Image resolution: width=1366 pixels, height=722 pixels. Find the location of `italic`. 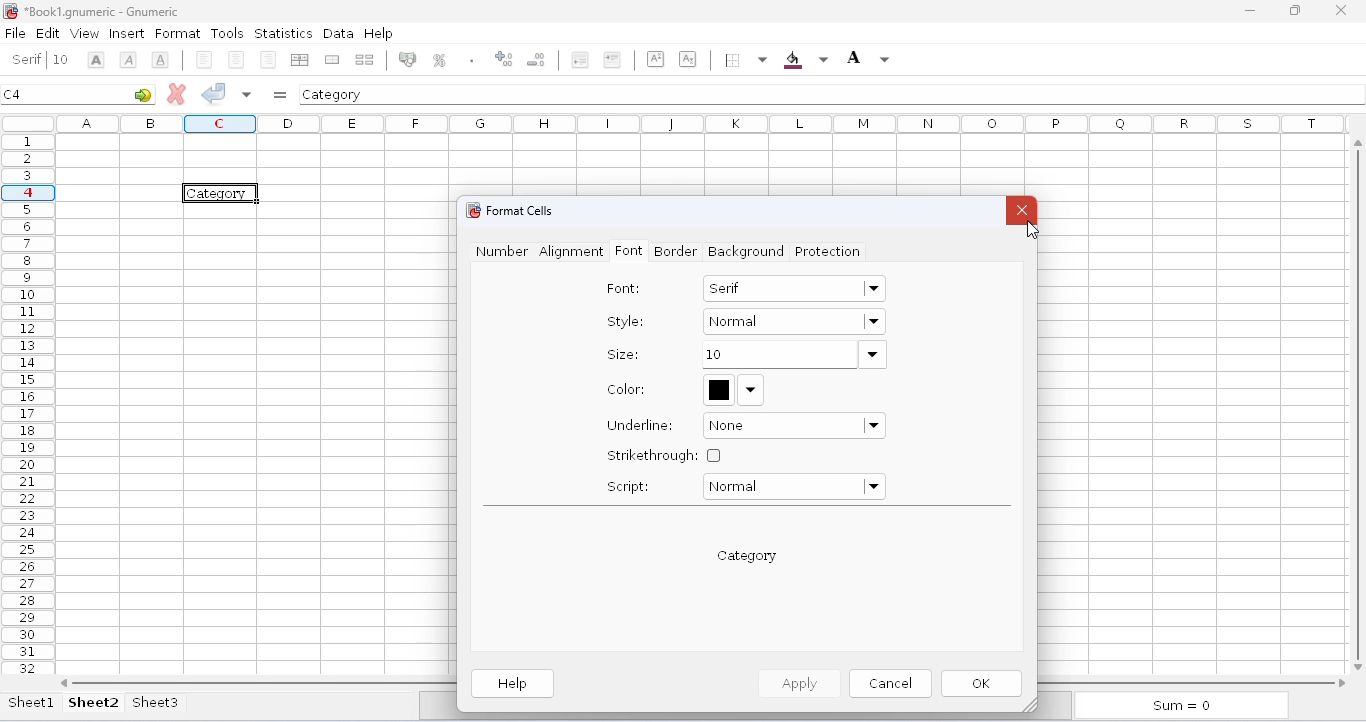

italic is located at coordinates (162, 60).